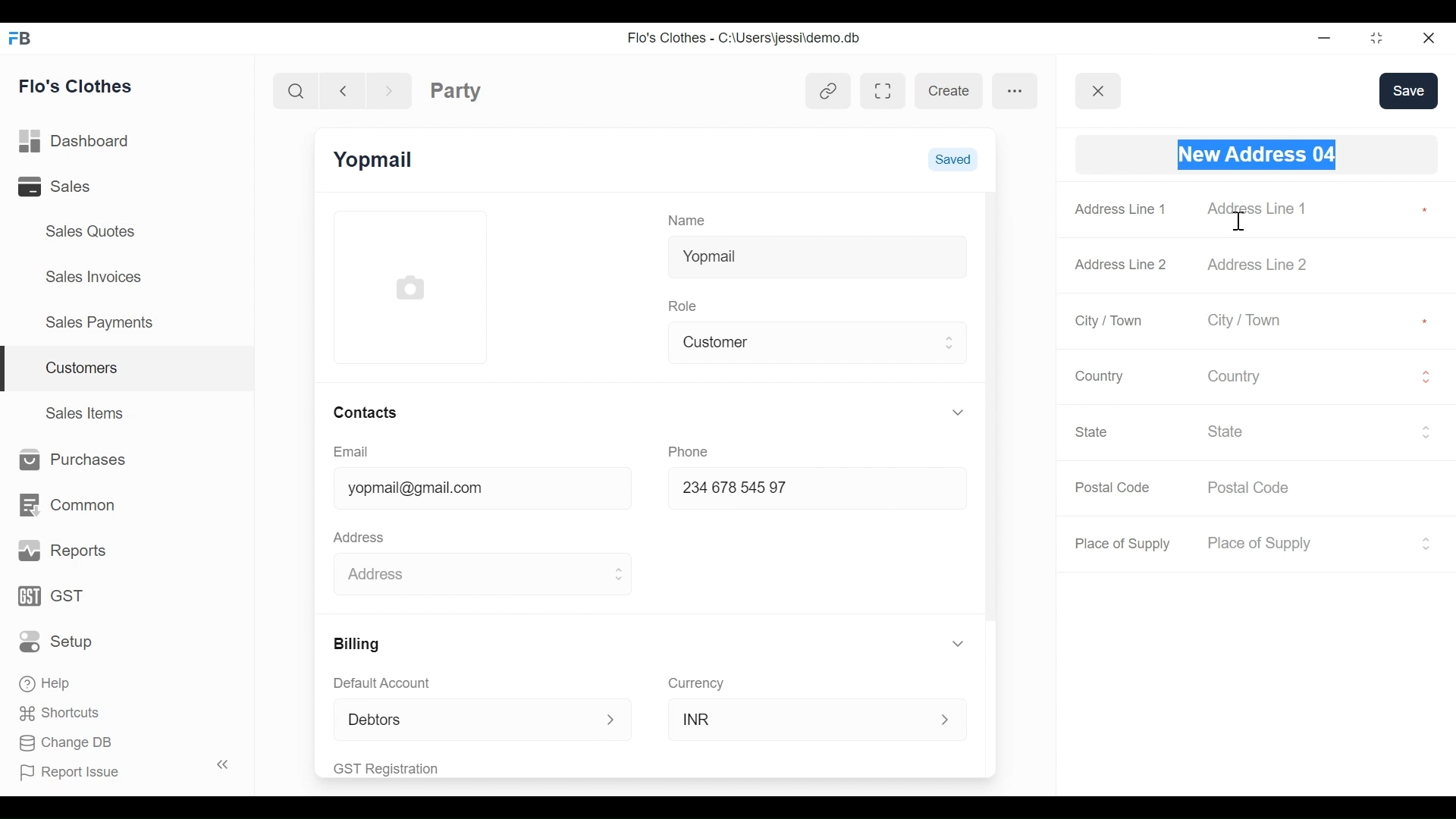  I want to click on State, so click(1308, 431).